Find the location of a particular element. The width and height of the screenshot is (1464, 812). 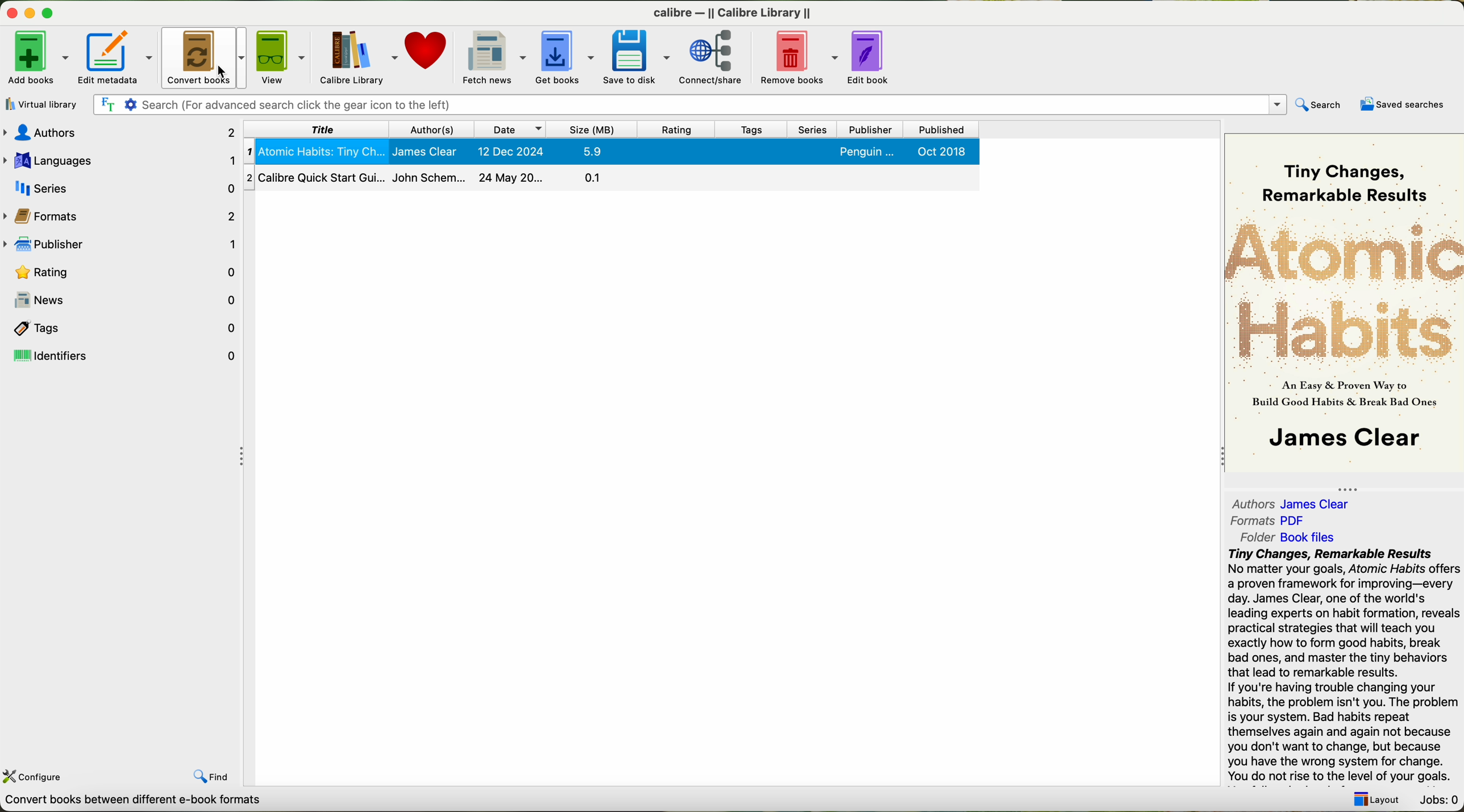

search bar is located at coordinates (690, 105).